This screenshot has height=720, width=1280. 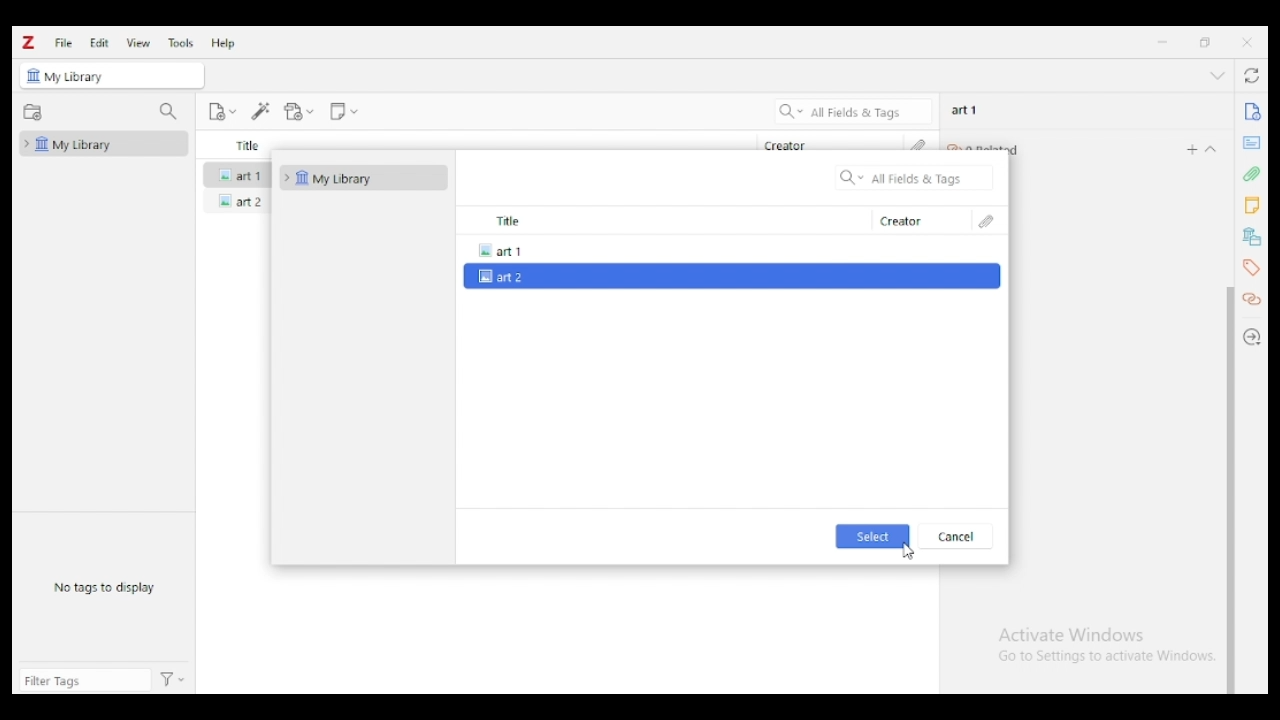 I want to click on add attachment, so click(x=299, y=112).